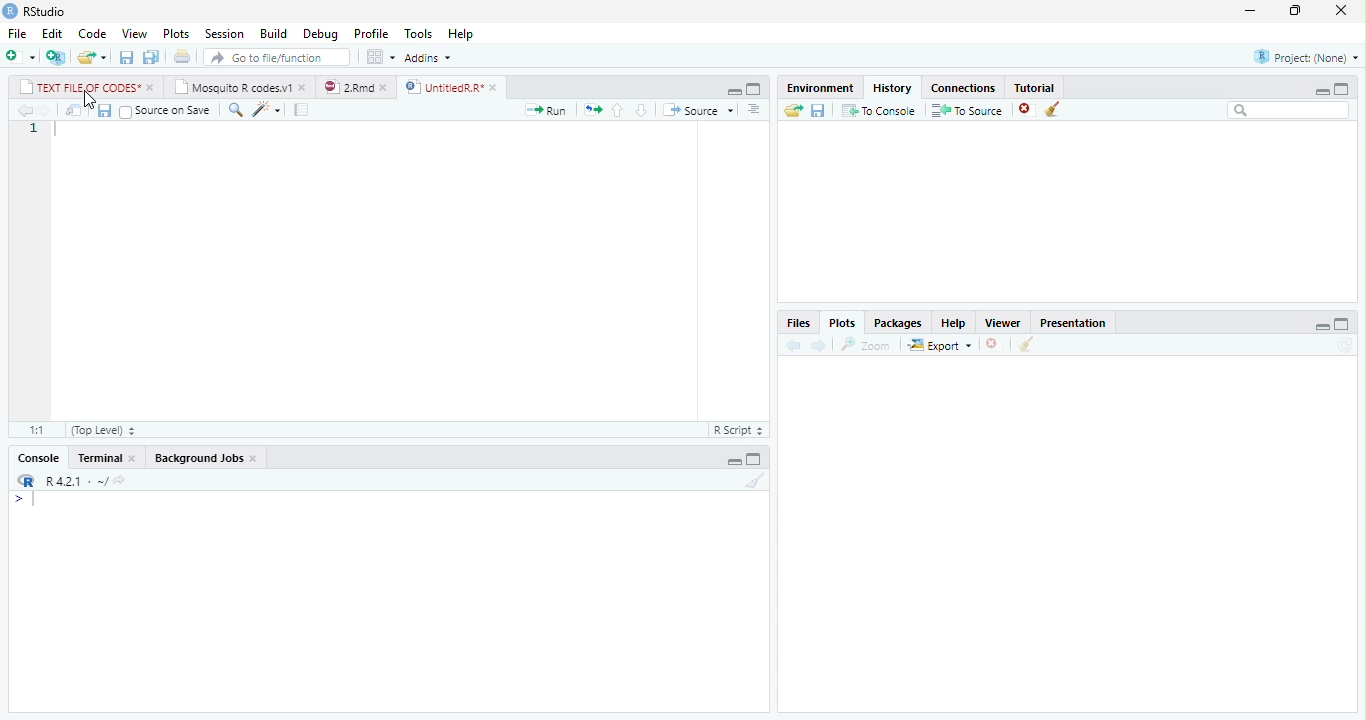 The image size is (1366, 720). I want to click on Session, so click(222, 35).